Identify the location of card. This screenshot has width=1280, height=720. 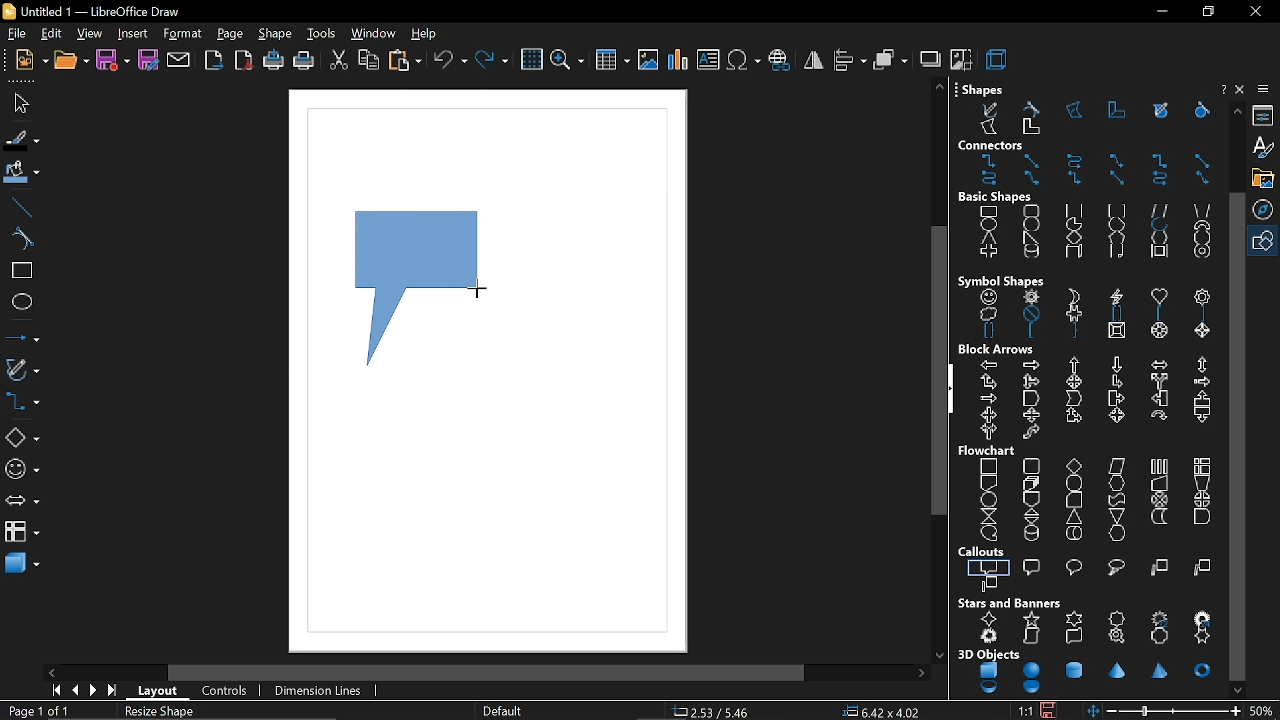
(1071, 500).